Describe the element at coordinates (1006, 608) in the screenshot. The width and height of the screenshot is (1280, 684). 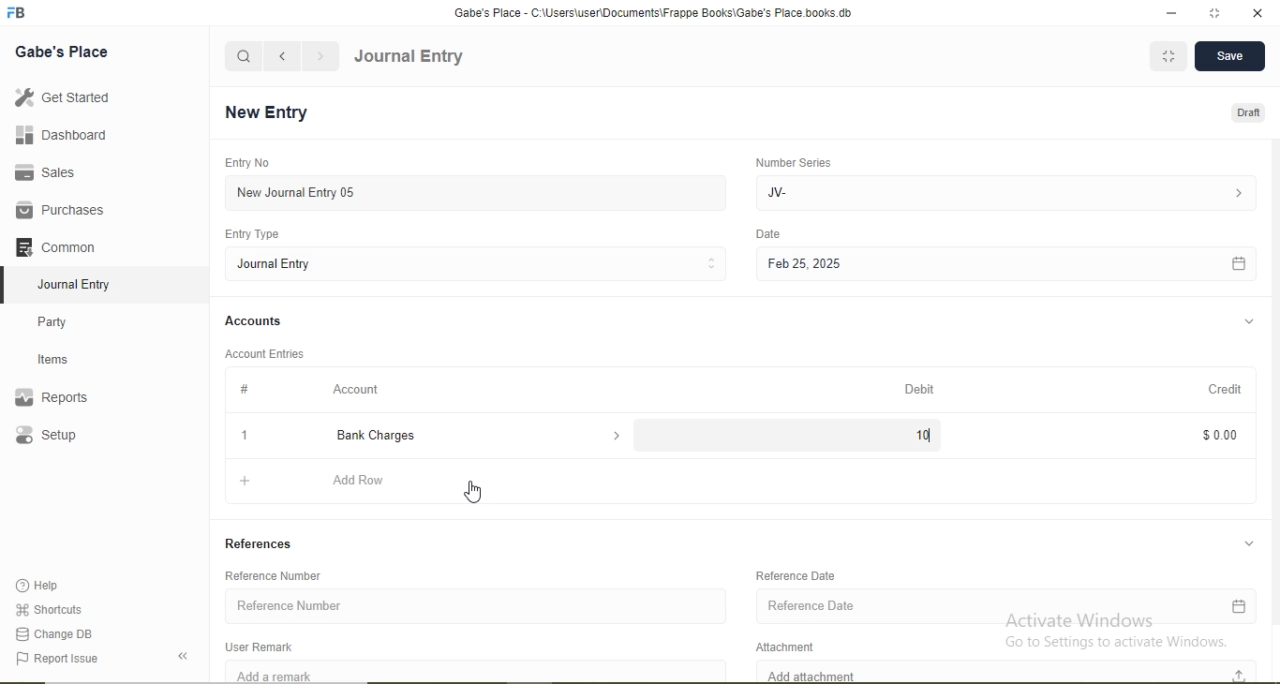
I see `Reference Date` at that location.